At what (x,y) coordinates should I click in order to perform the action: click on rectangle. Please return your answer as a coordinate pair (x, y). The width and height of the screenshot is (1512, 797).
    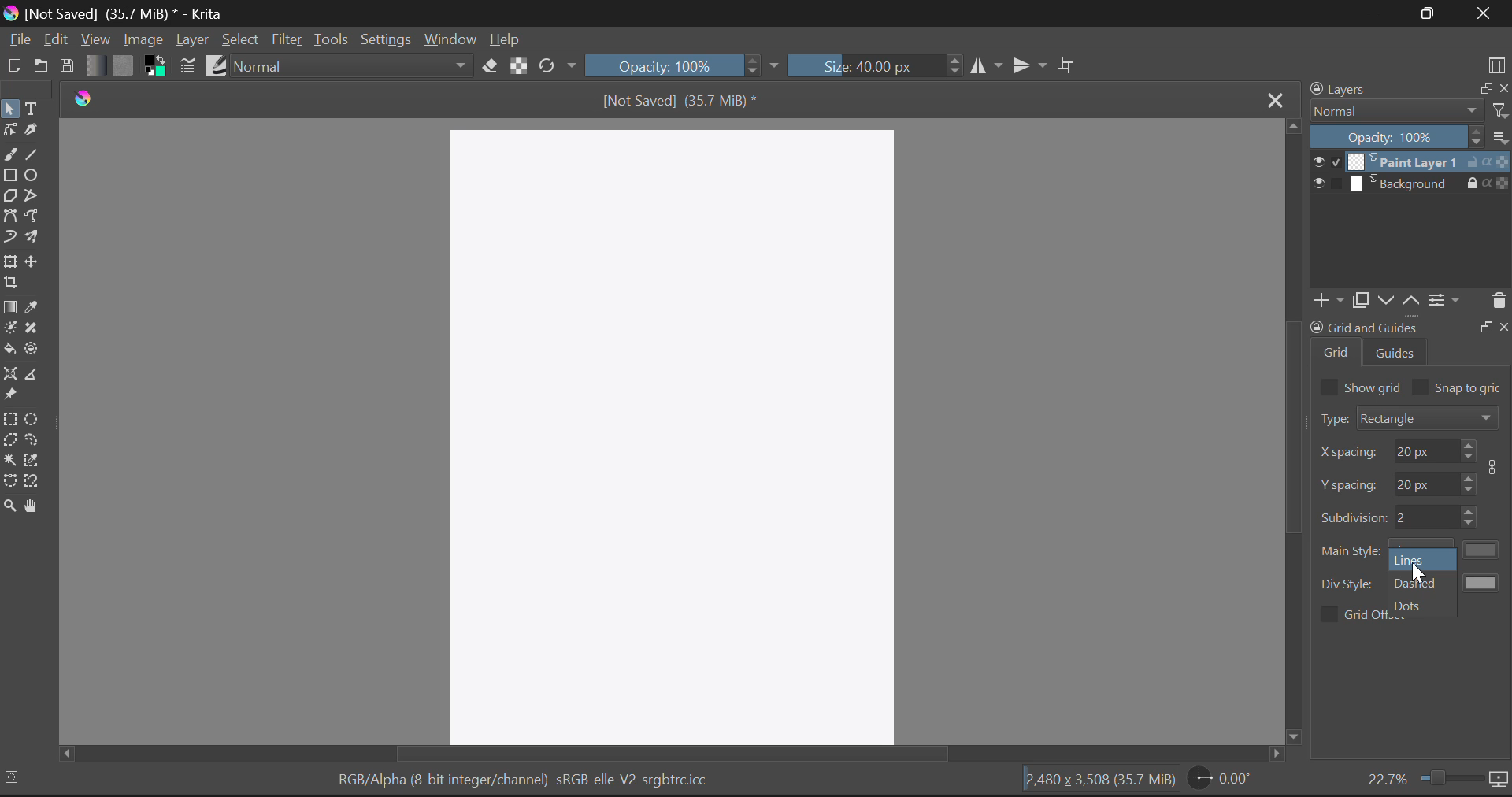
    Looking at the image, I should click on (1429, 417).